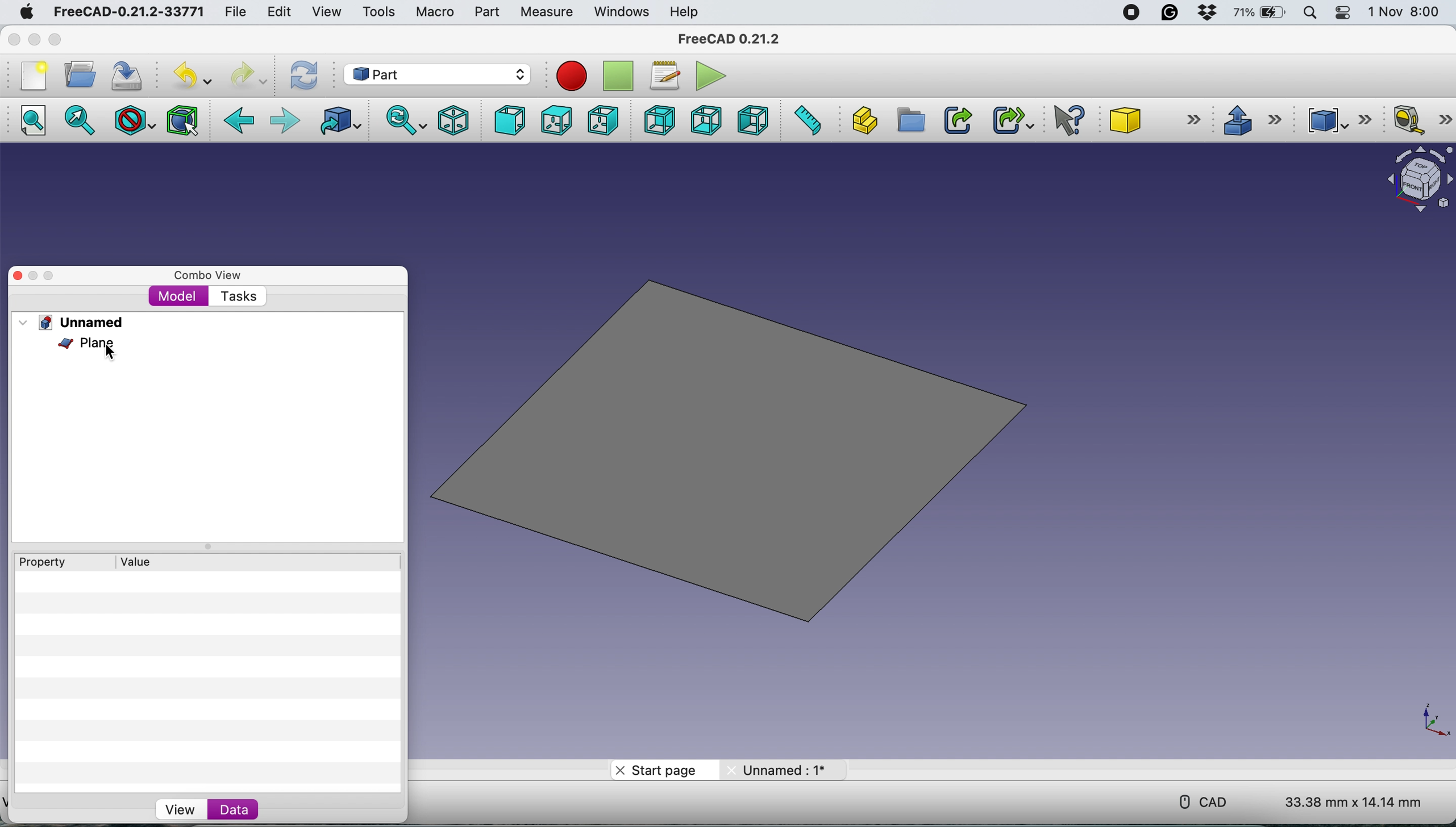  Describe the element at coordinates (57, 40) in the screenshot. I see `maximise` at that location.